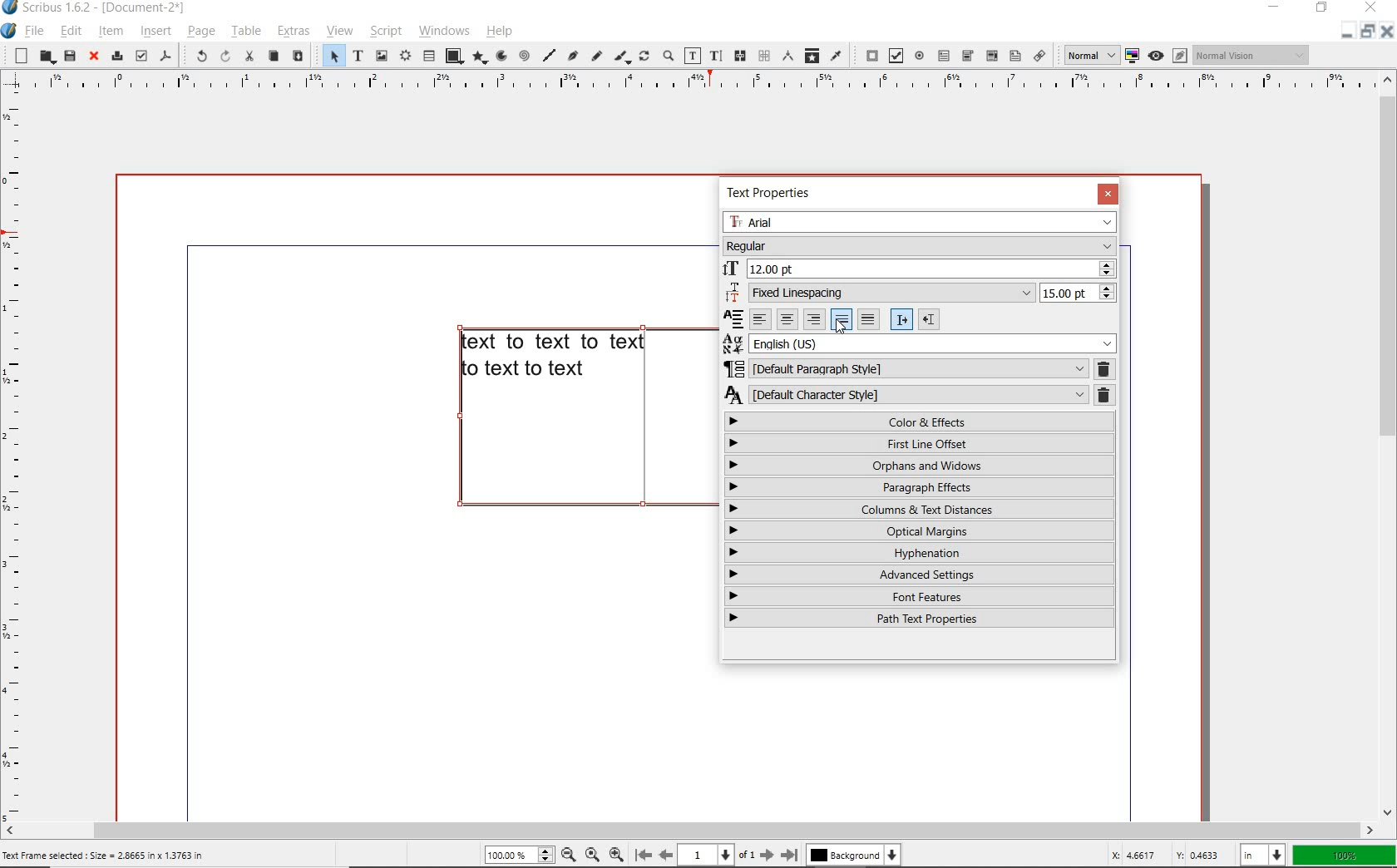 Image resolution: width=1397 pixels, height=868 pixels. I want to click on CLOSE, so click(1107, 195).